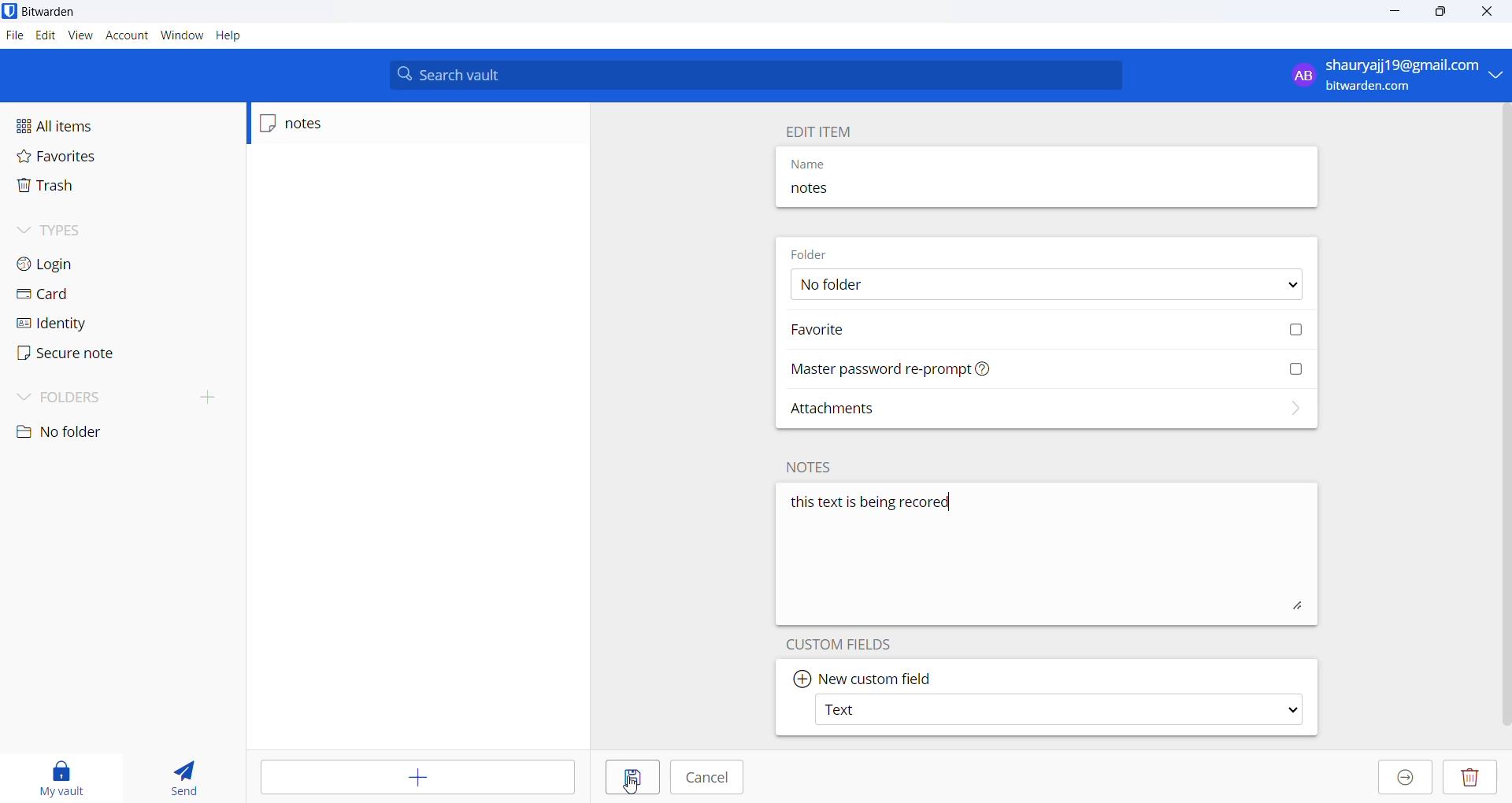 This screenshot has width=1512, height=803. I want to click on window, so click(179, 37).